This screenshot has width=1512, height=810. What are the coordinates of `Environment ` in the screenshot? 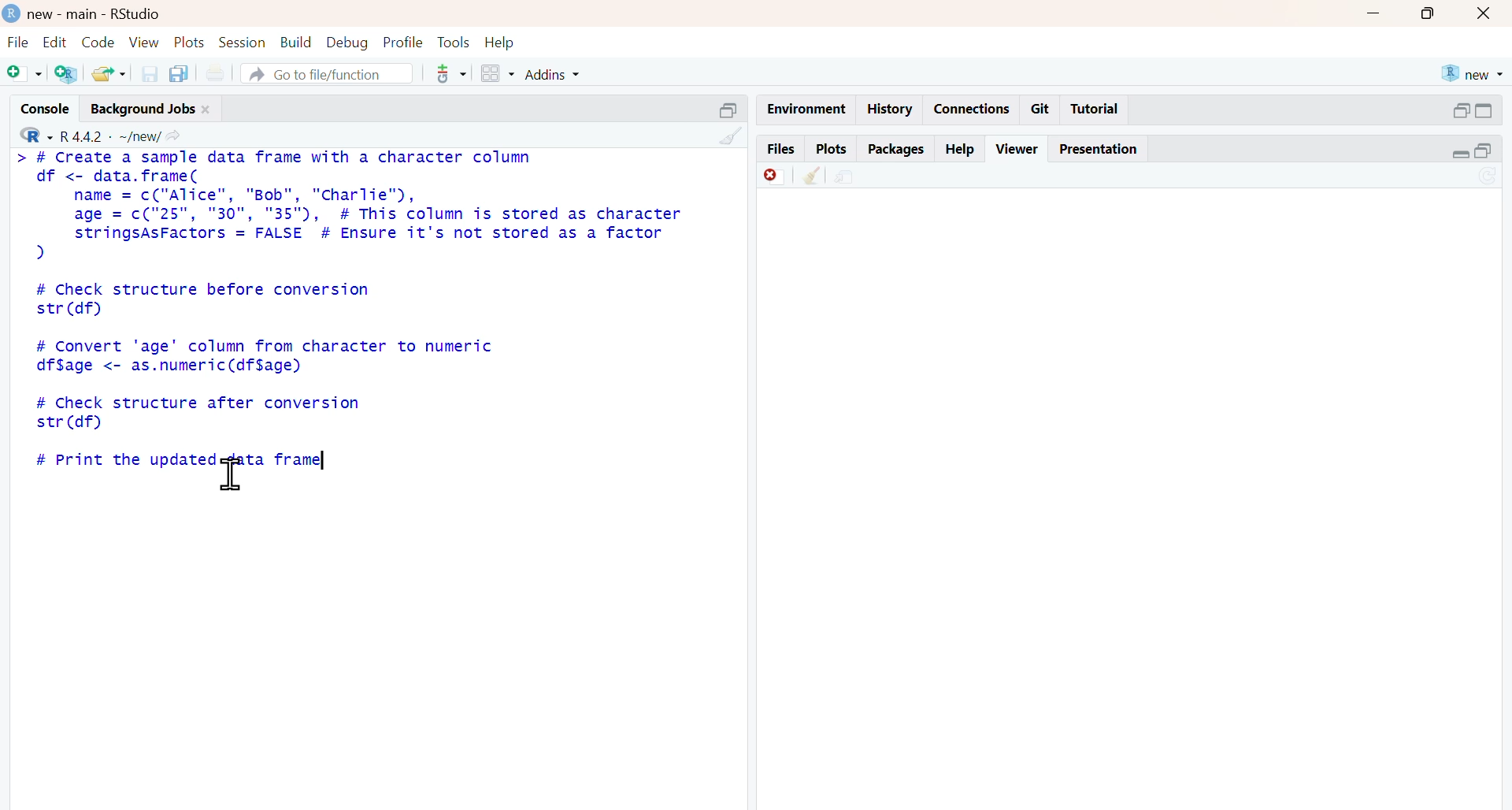 It's located at (807, 109).